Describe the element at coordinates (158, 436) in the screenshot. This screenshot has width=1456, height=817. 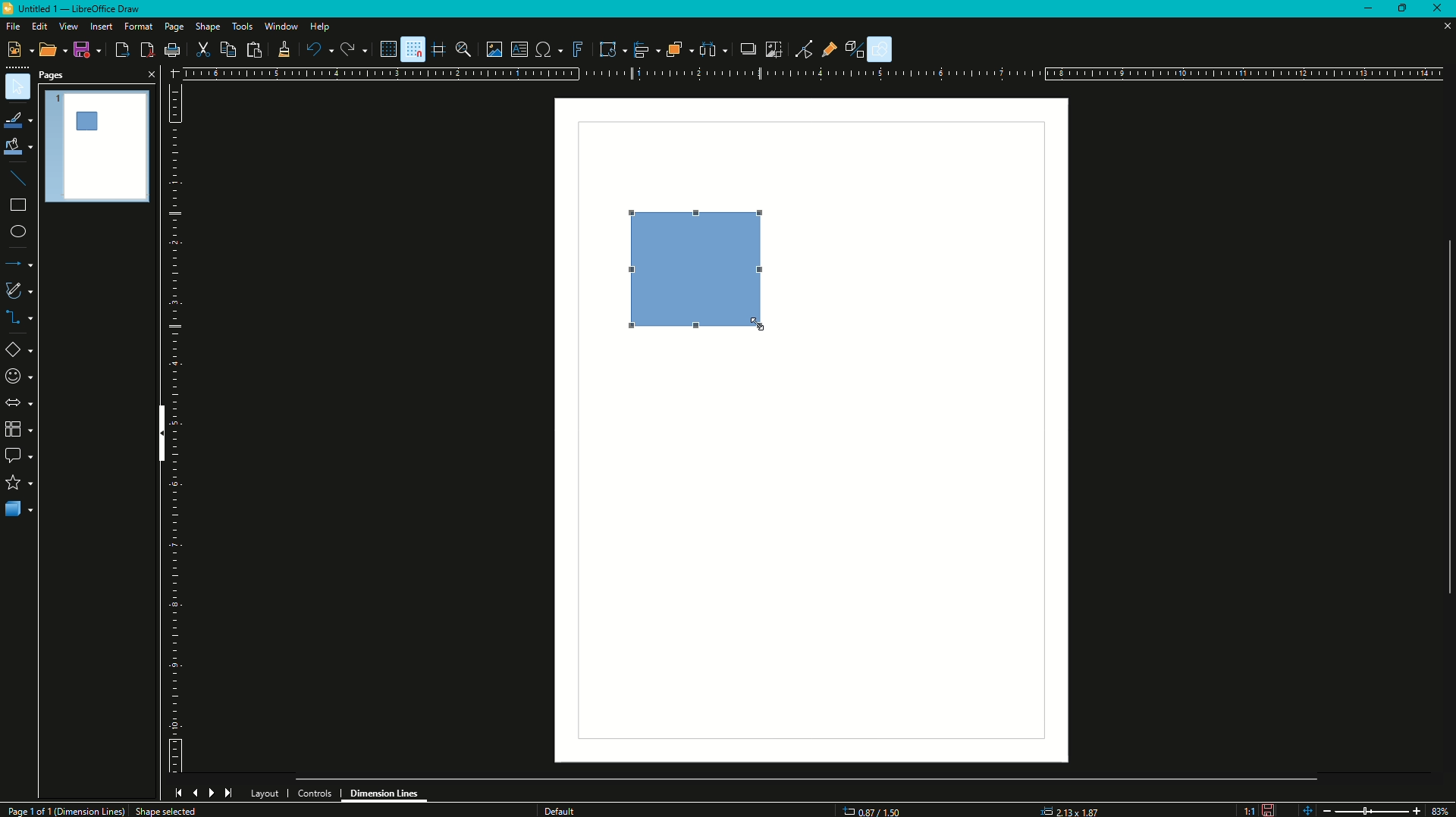
I see `Hide` at that location.